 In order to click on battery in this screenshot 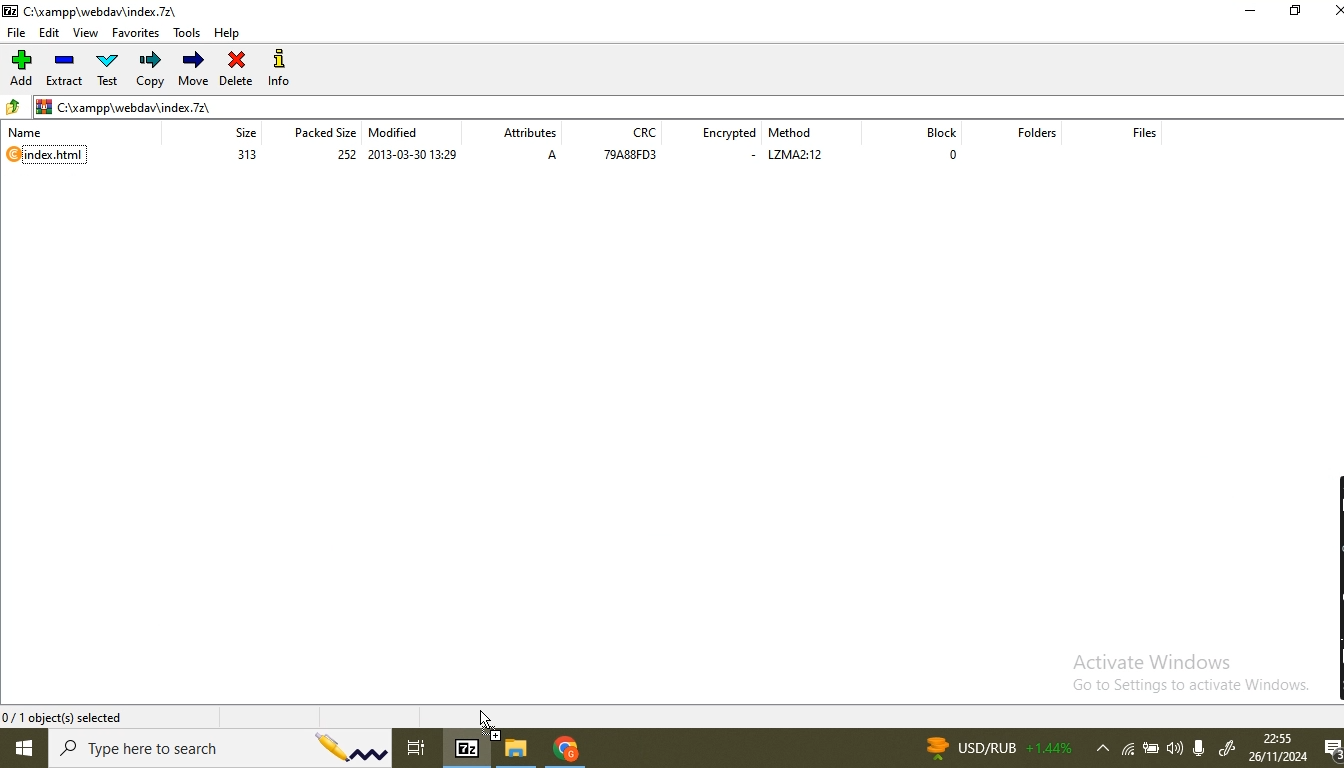, I will do `click(1152, 751)`.